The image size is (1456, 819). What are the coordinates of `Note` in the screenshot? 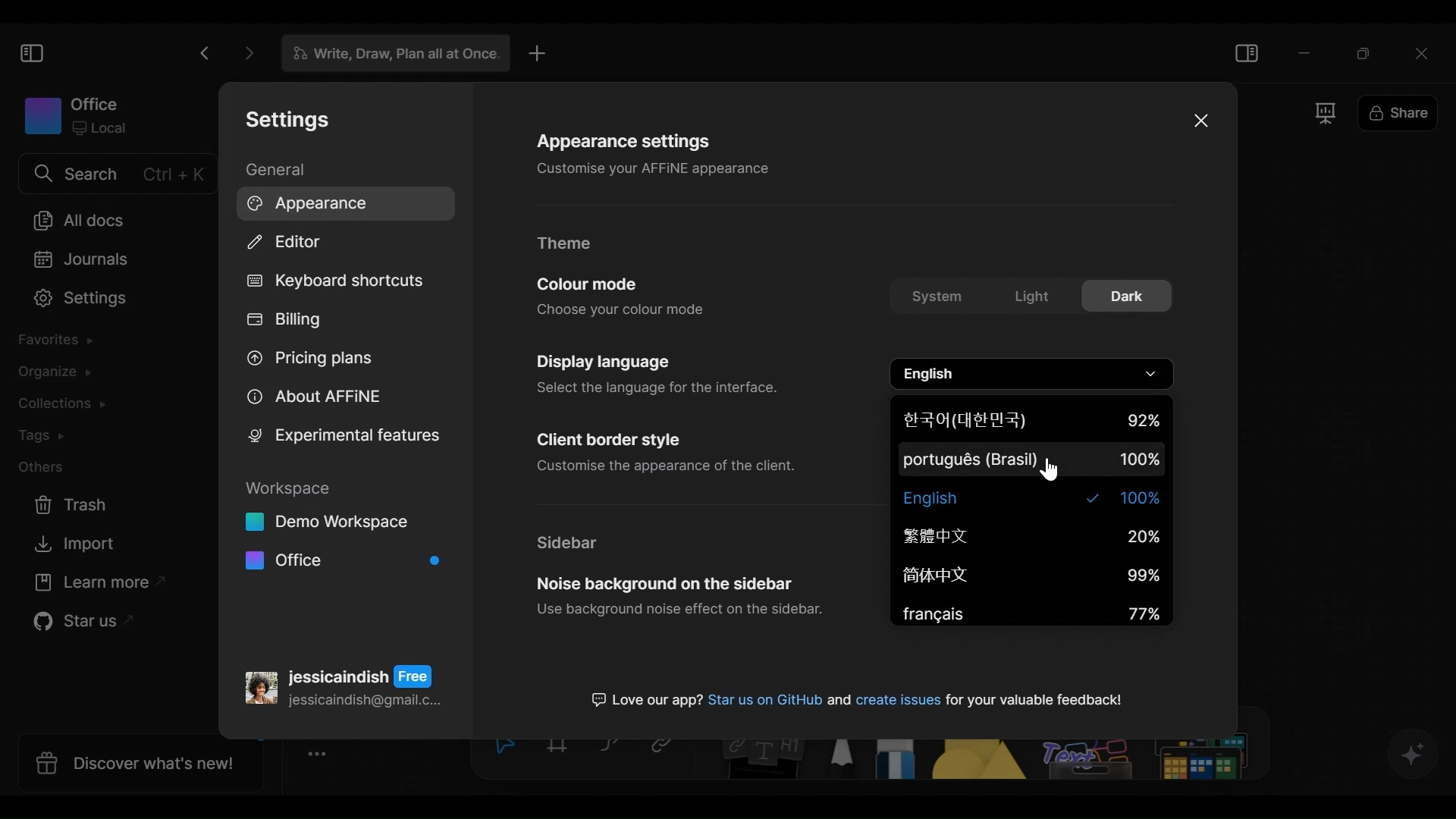 It's located at (761, 761).